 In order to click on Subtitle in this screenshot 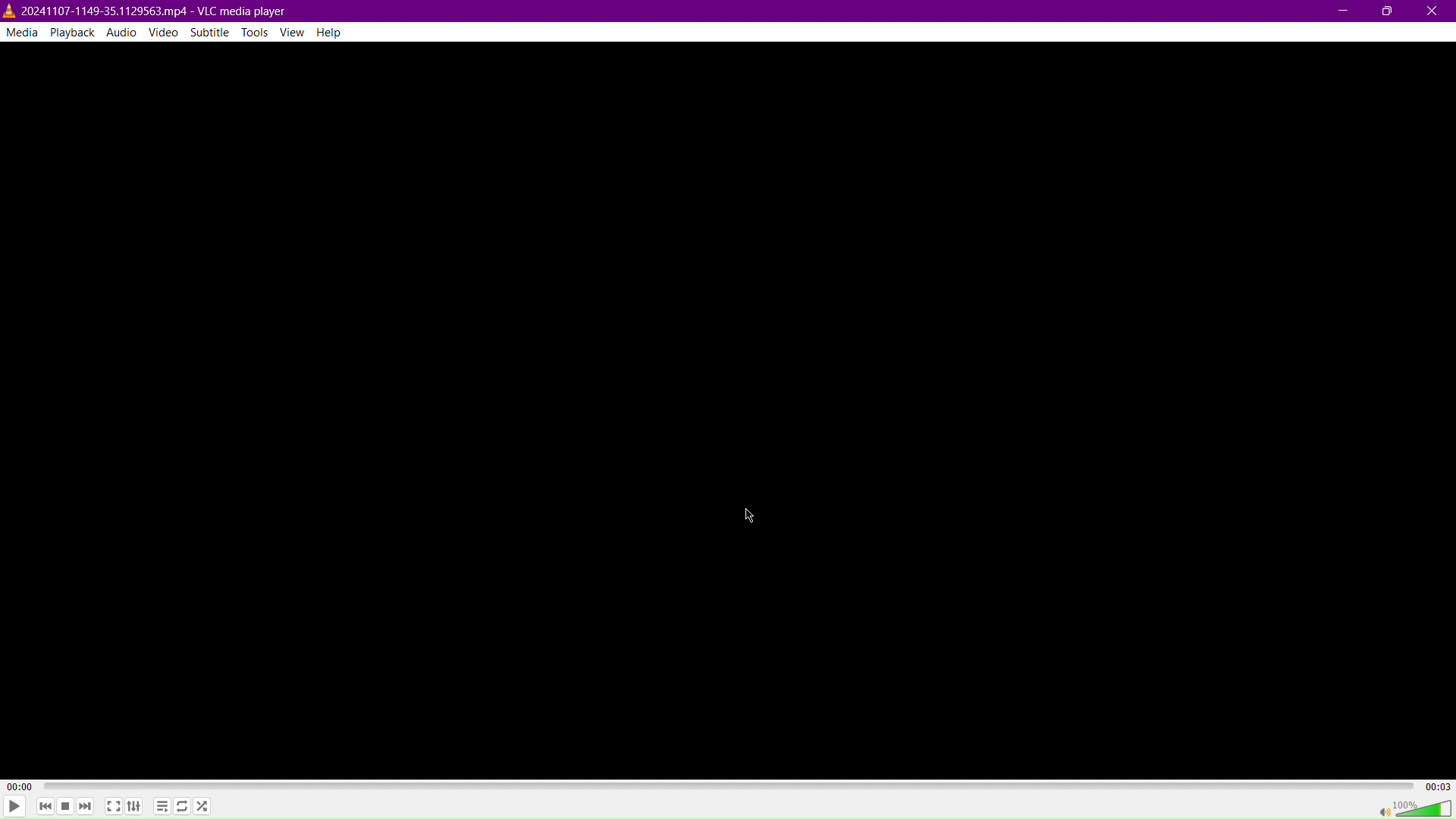, I will do `click(211, 32)`.